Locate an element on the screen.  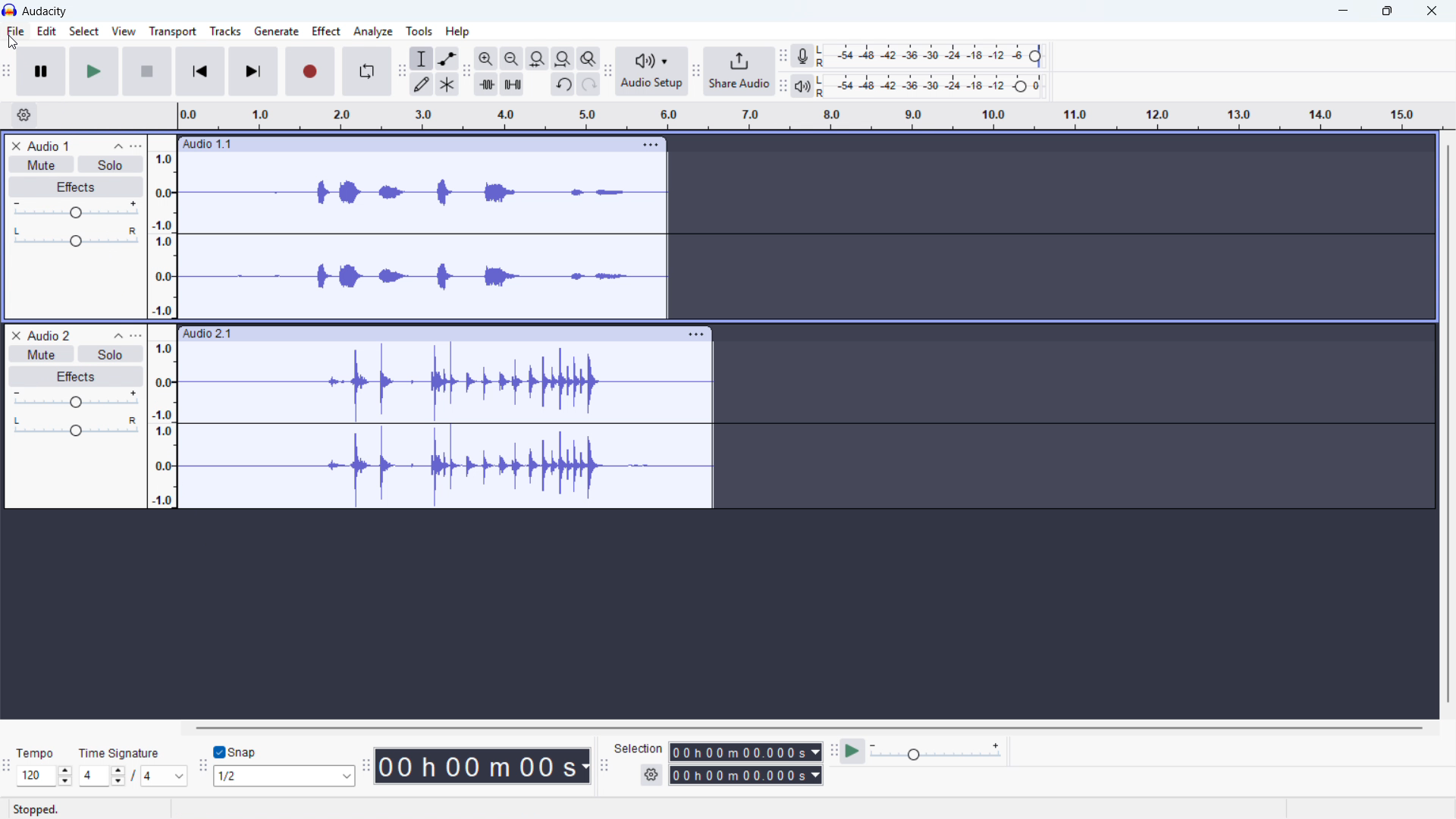
time signature is located at coordinates (121, 753).